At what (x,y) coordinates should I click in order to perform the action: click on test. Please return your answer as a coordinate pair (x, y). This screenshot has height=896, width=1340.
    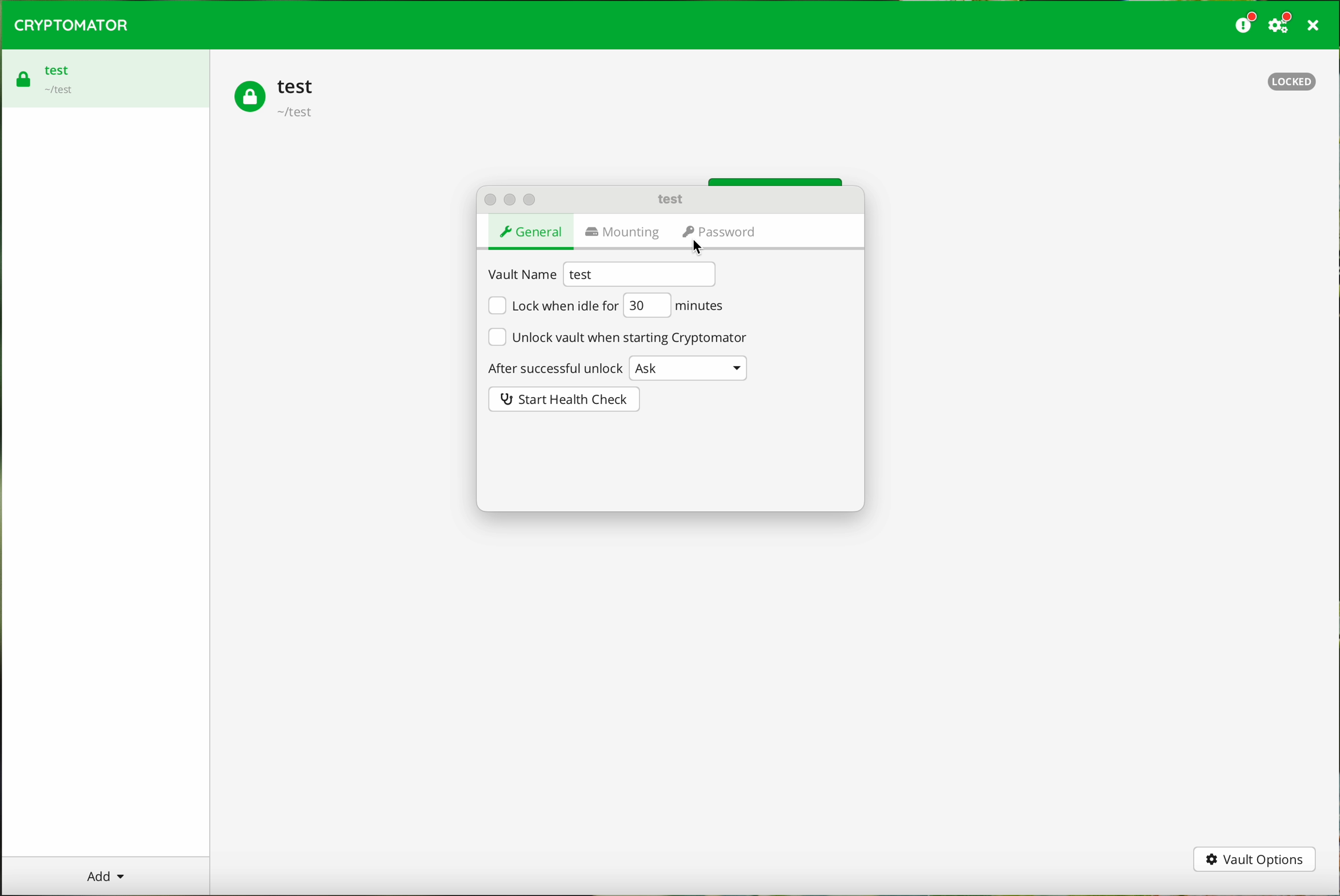
    Looking at the image, I should click on (640, 274).